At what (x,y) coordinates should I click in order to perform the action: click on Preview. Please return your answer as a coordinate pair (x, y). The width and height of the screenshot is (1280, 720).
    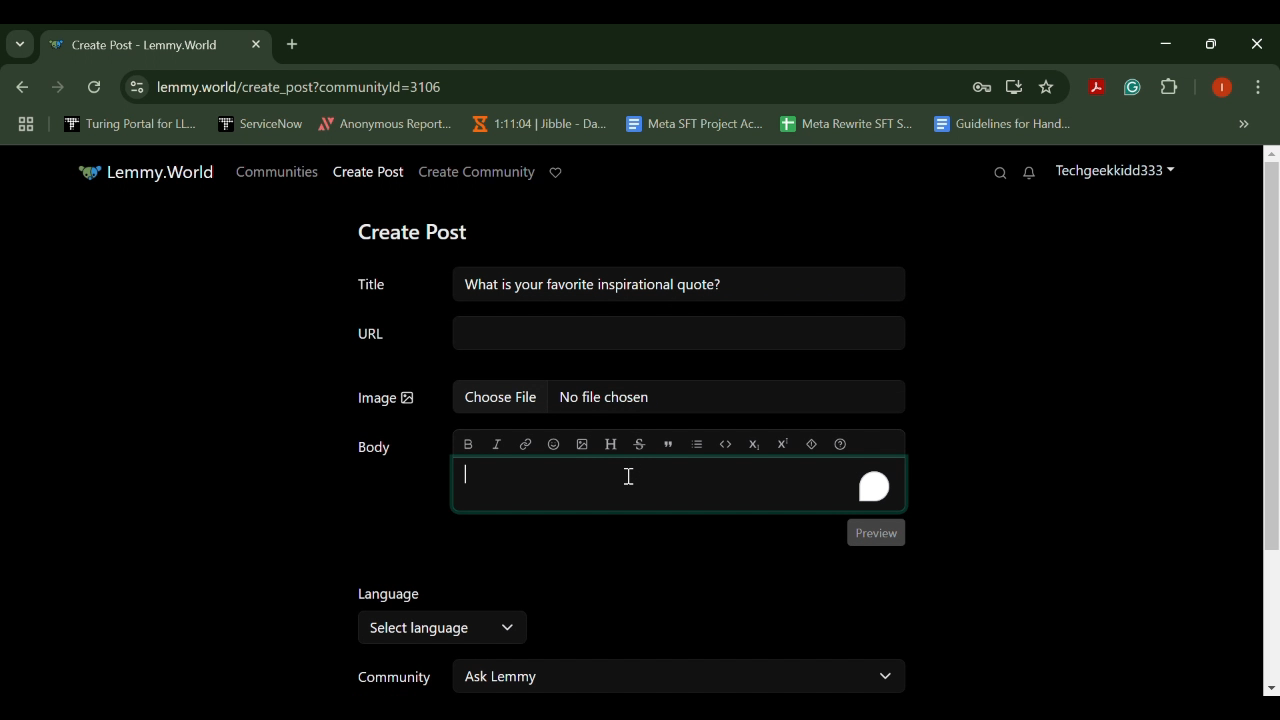
    Looking at the image, I should click on (877, 533).